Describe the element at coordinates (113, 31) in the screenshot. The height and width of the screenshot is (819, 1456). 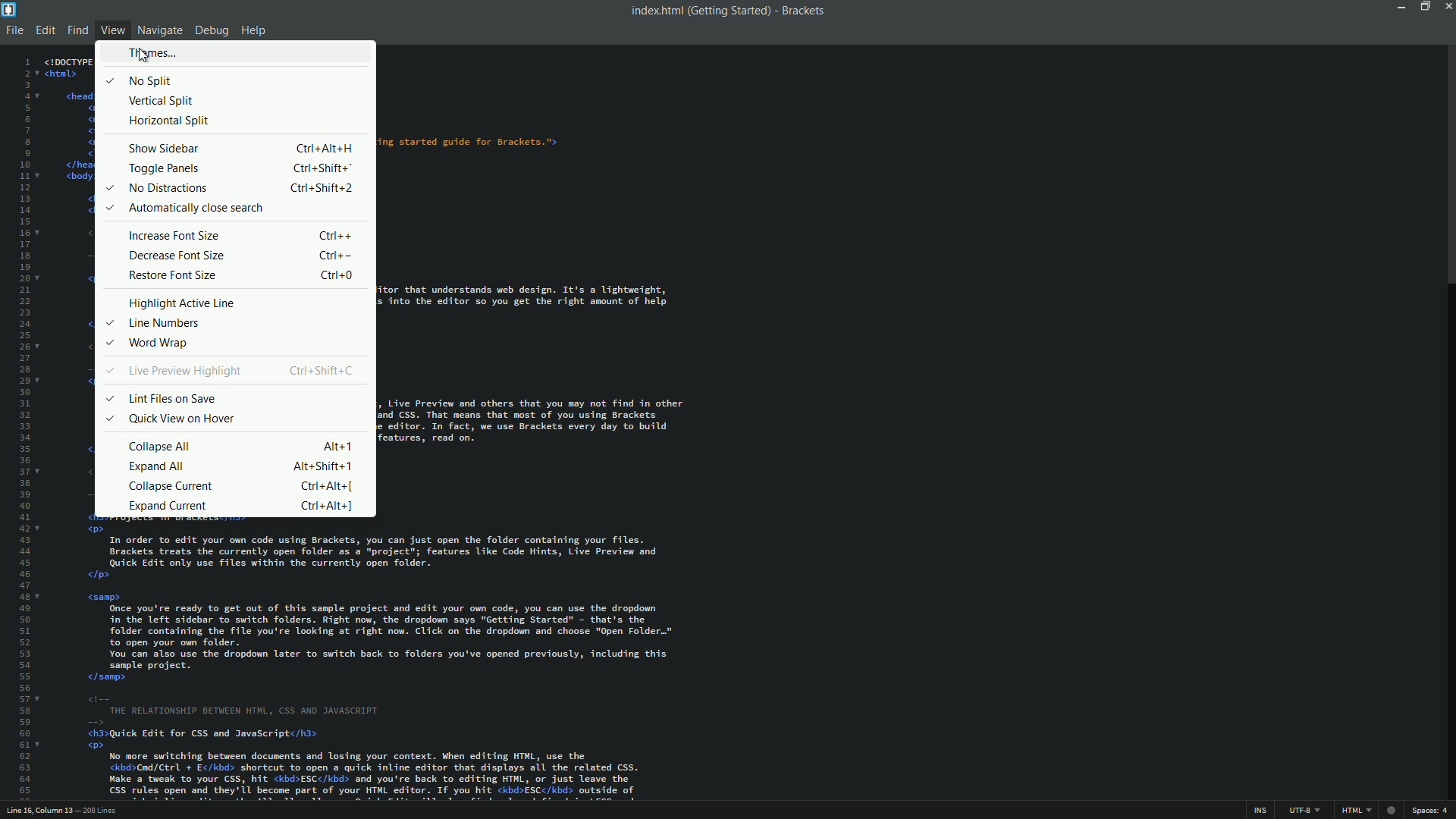
I see `view menu` at that location.